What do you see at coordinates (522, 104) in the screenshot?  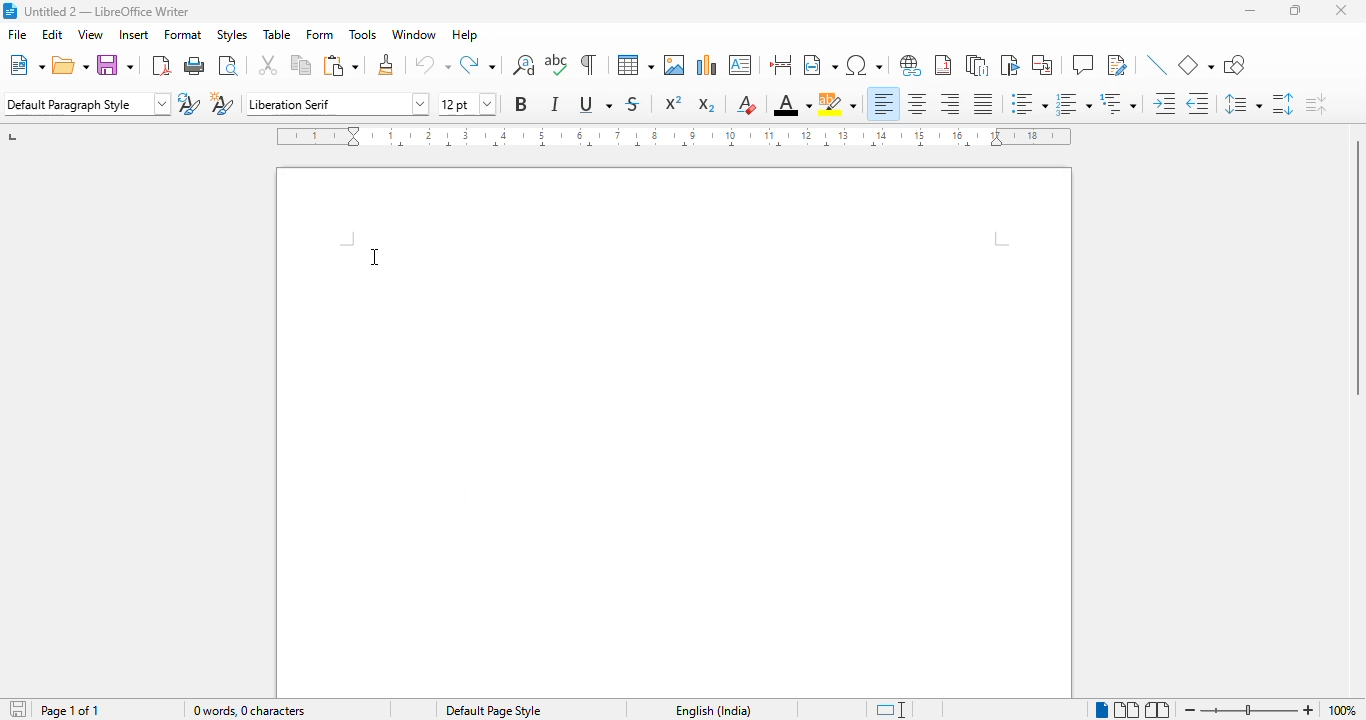 I see `bold` at bounding box center [522, 104].